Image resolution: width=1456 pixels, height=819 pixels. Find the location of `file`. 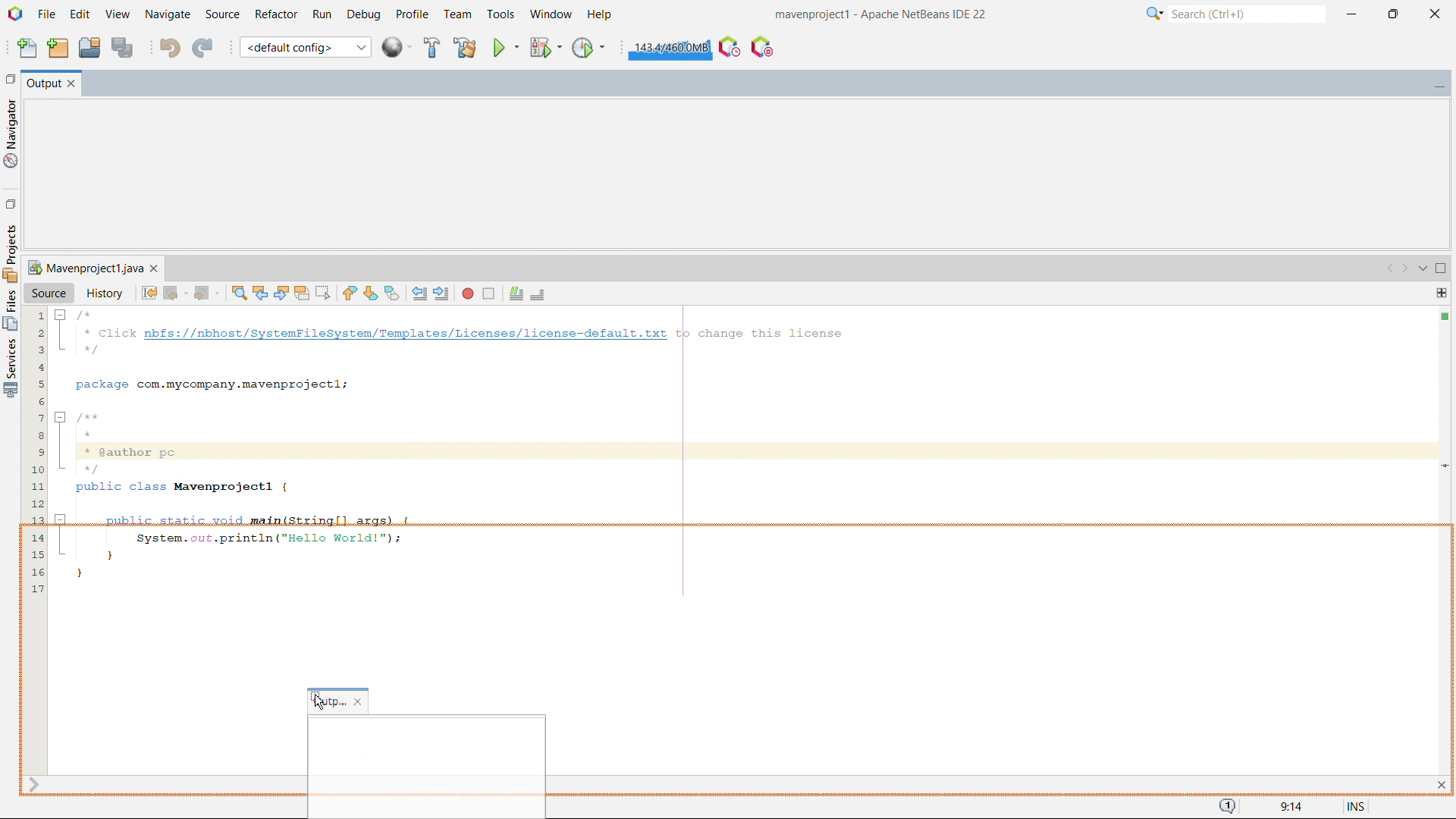

file is located at coordinates (46, 14).